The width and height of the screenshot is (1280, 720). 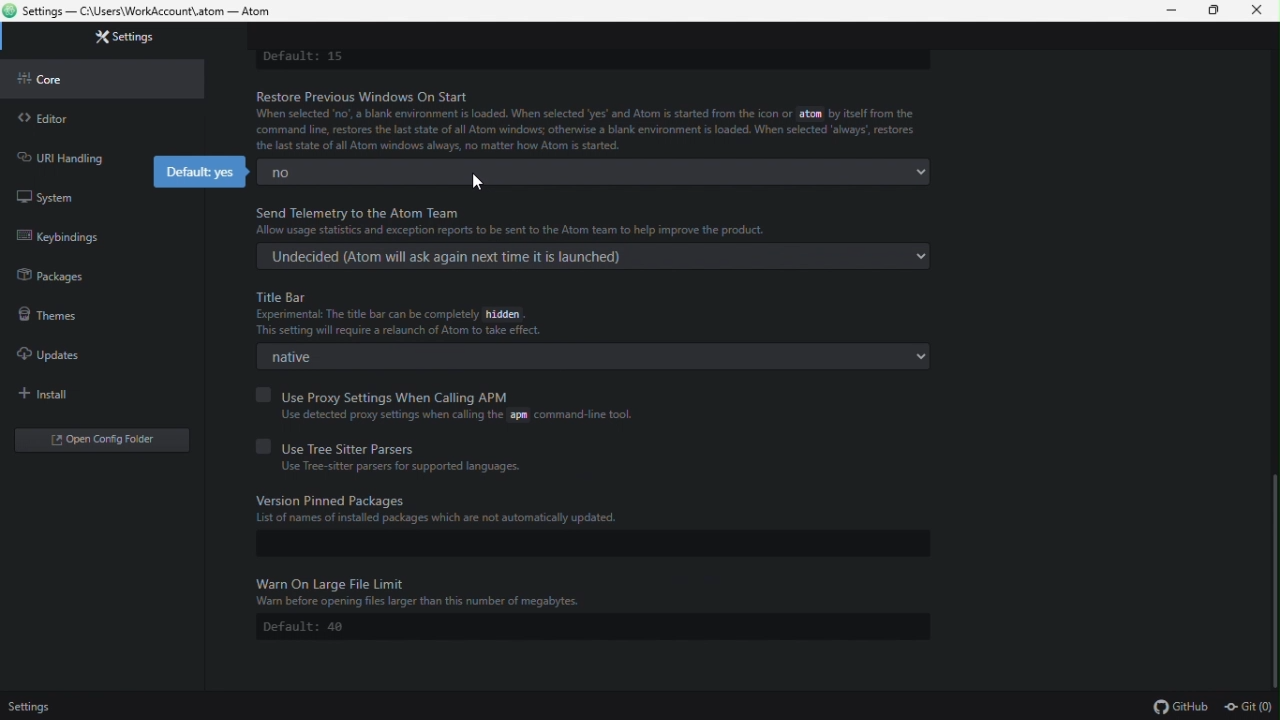 What do you see at coordinates (52, 280) in the screenshot?
I see `Packages` at bounding box center [52, 280].